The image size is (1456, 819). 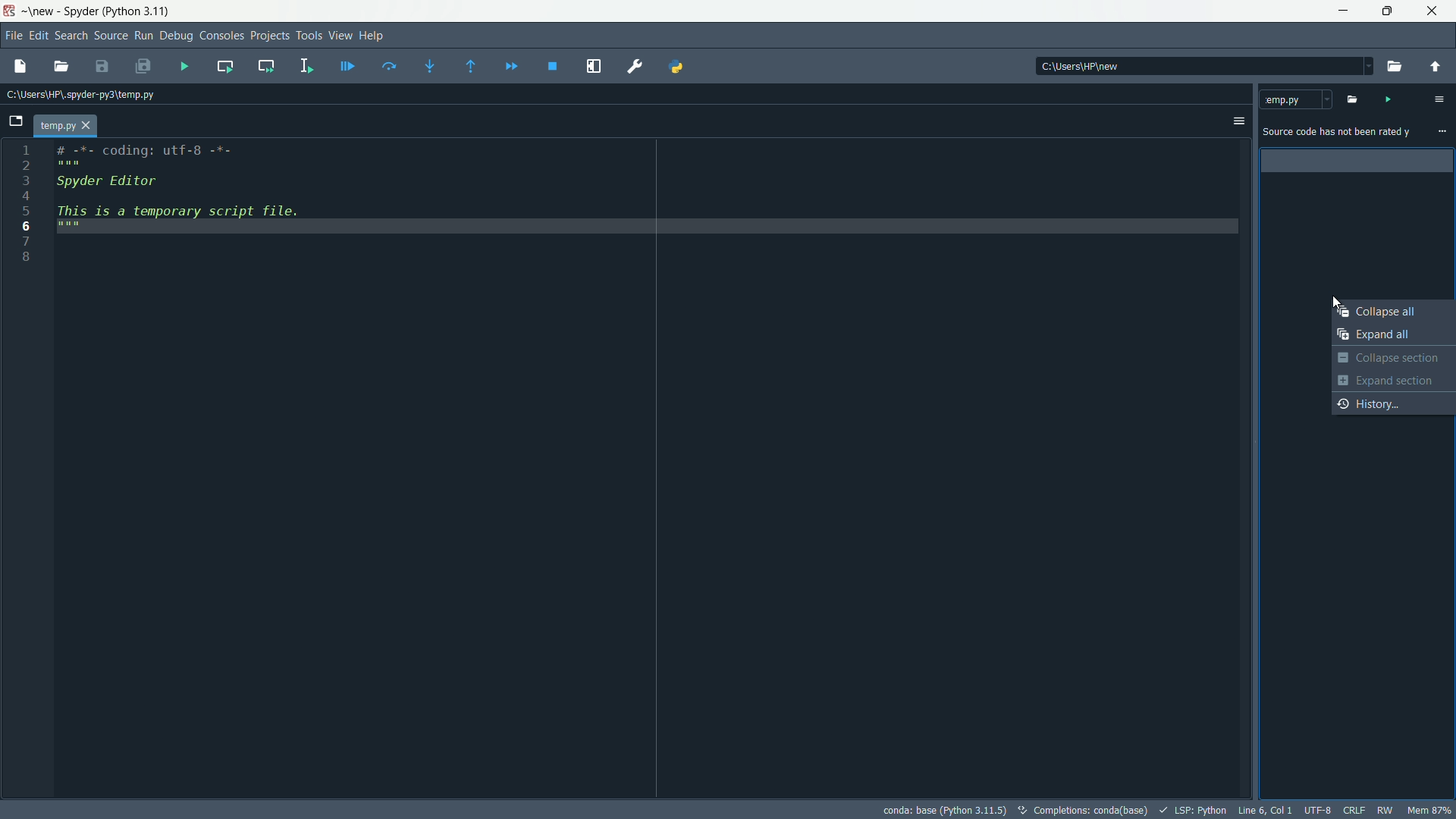 I want to click on options, so click(x=1237, y=122).